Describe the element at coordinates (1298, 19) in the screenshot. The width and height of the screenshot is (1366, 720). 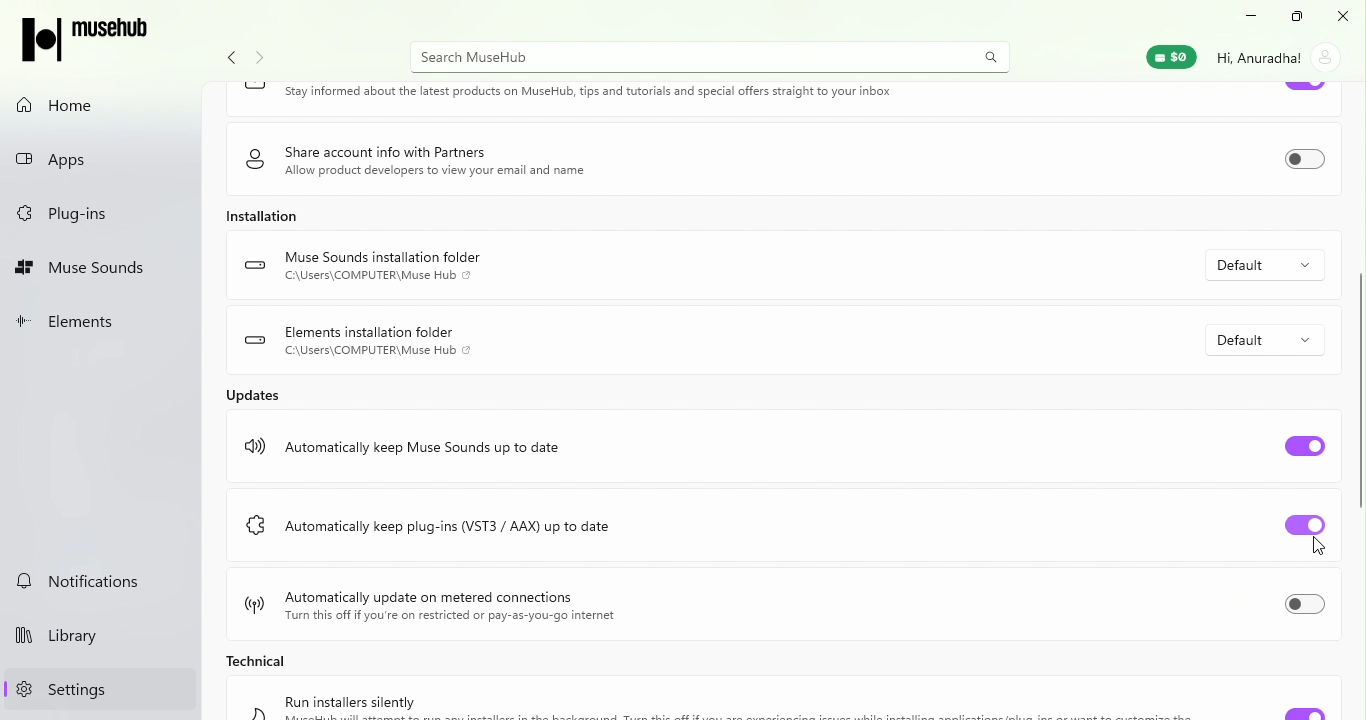
I see `Resize` at that location.